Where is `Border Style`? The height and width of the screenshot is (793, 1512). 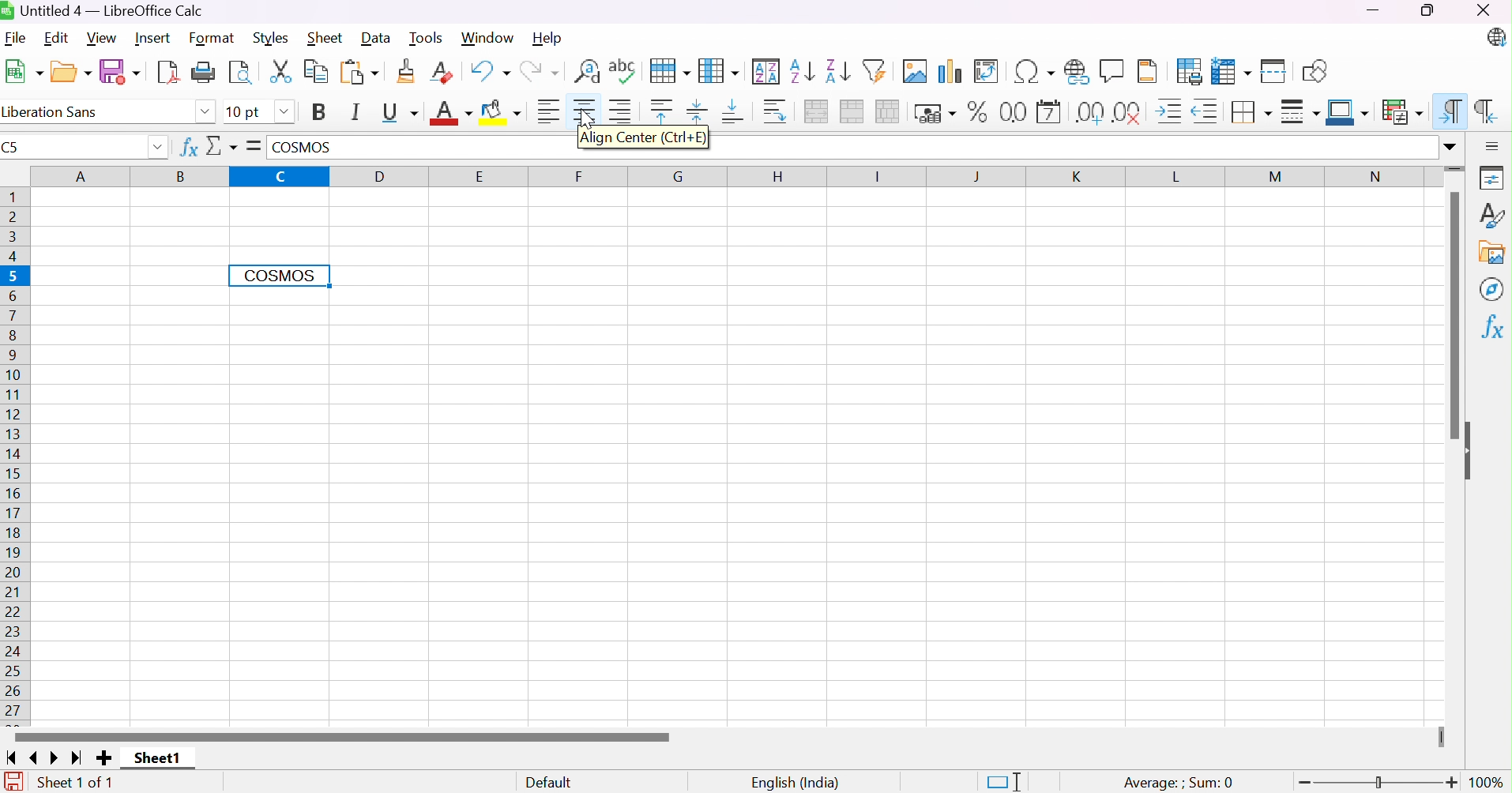 Border Style is located at coordinates (1300, 114).